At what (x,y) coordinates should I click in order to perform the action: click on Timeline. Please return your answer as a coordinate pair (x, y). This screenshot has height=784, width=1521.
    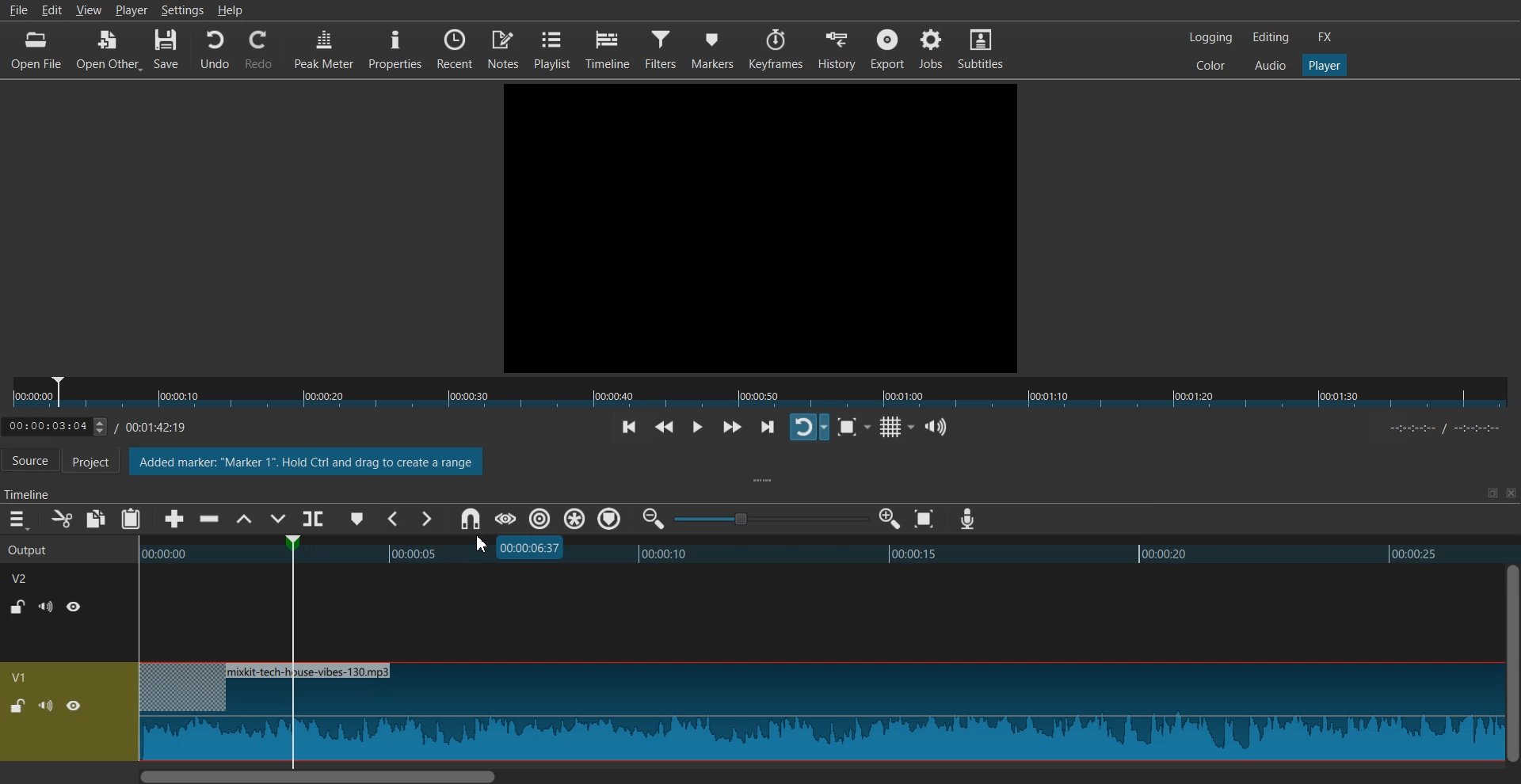
    Looking at the image, I should click on (108, 424).